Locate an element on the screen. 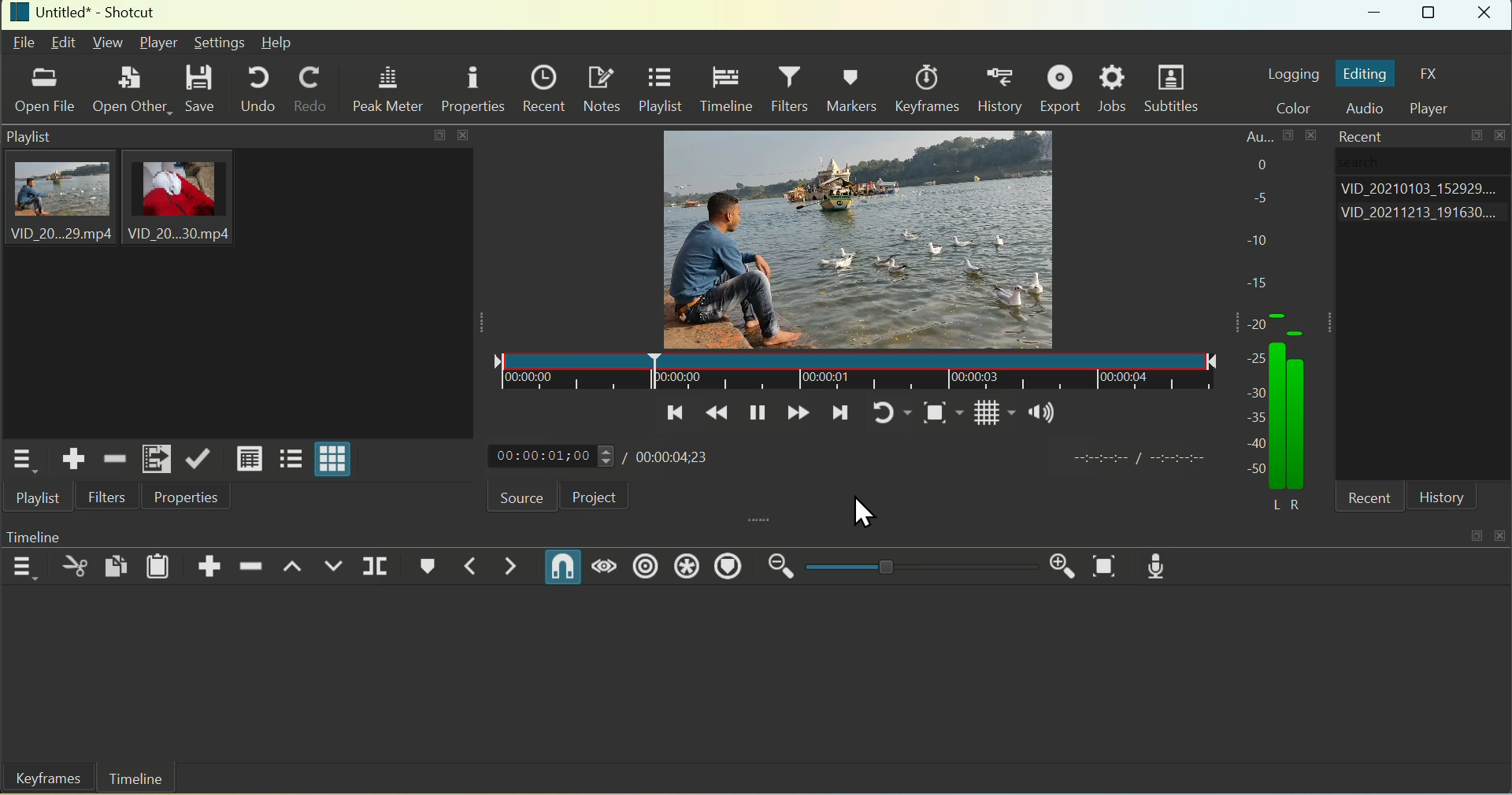  Delete is located at coordinates (253, 564).